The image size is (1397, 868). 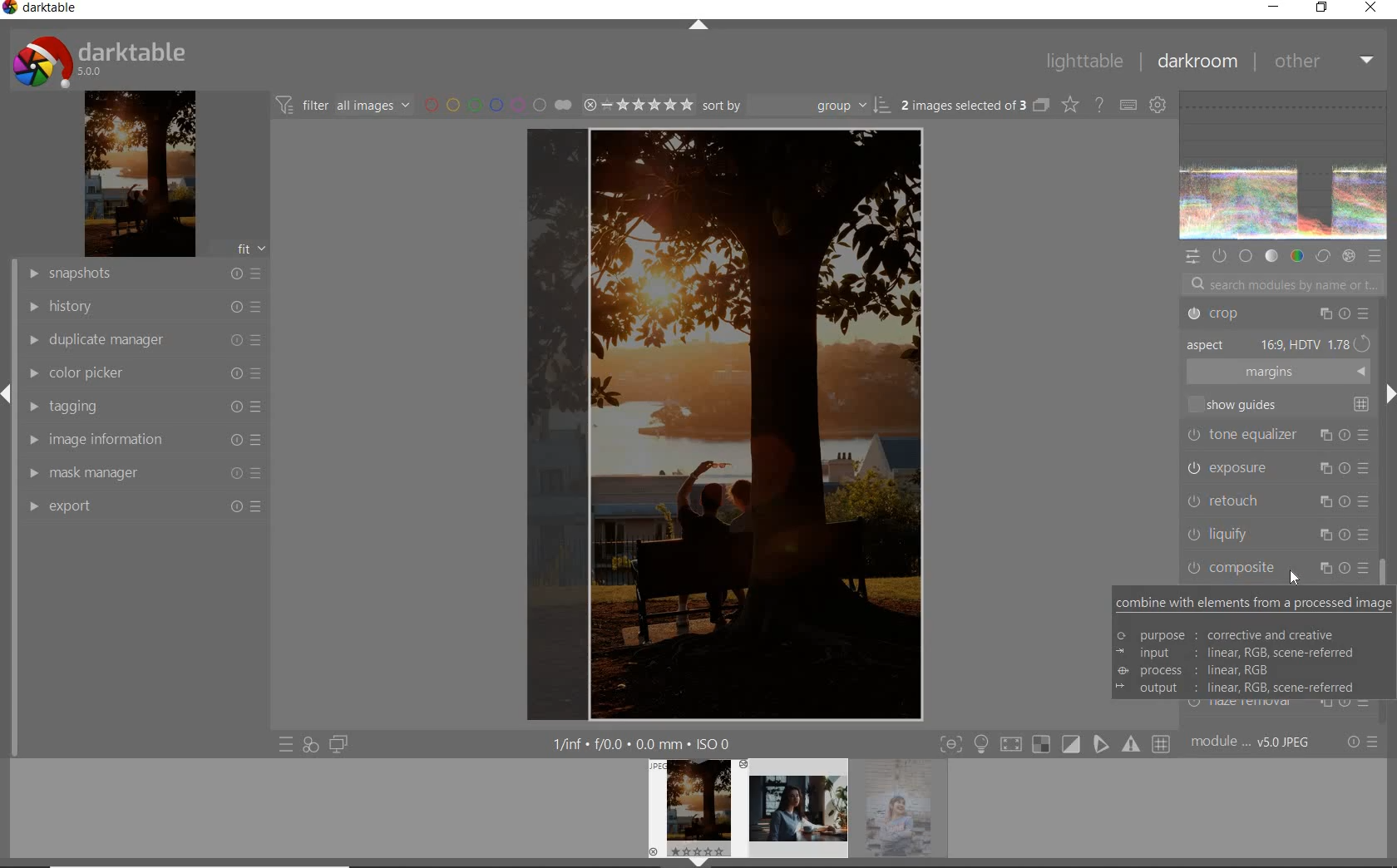 I want to click on COMBINE WITH ELEMENTS FROM A  PROCESSED IMAGE, so click(x=1252, y=645).